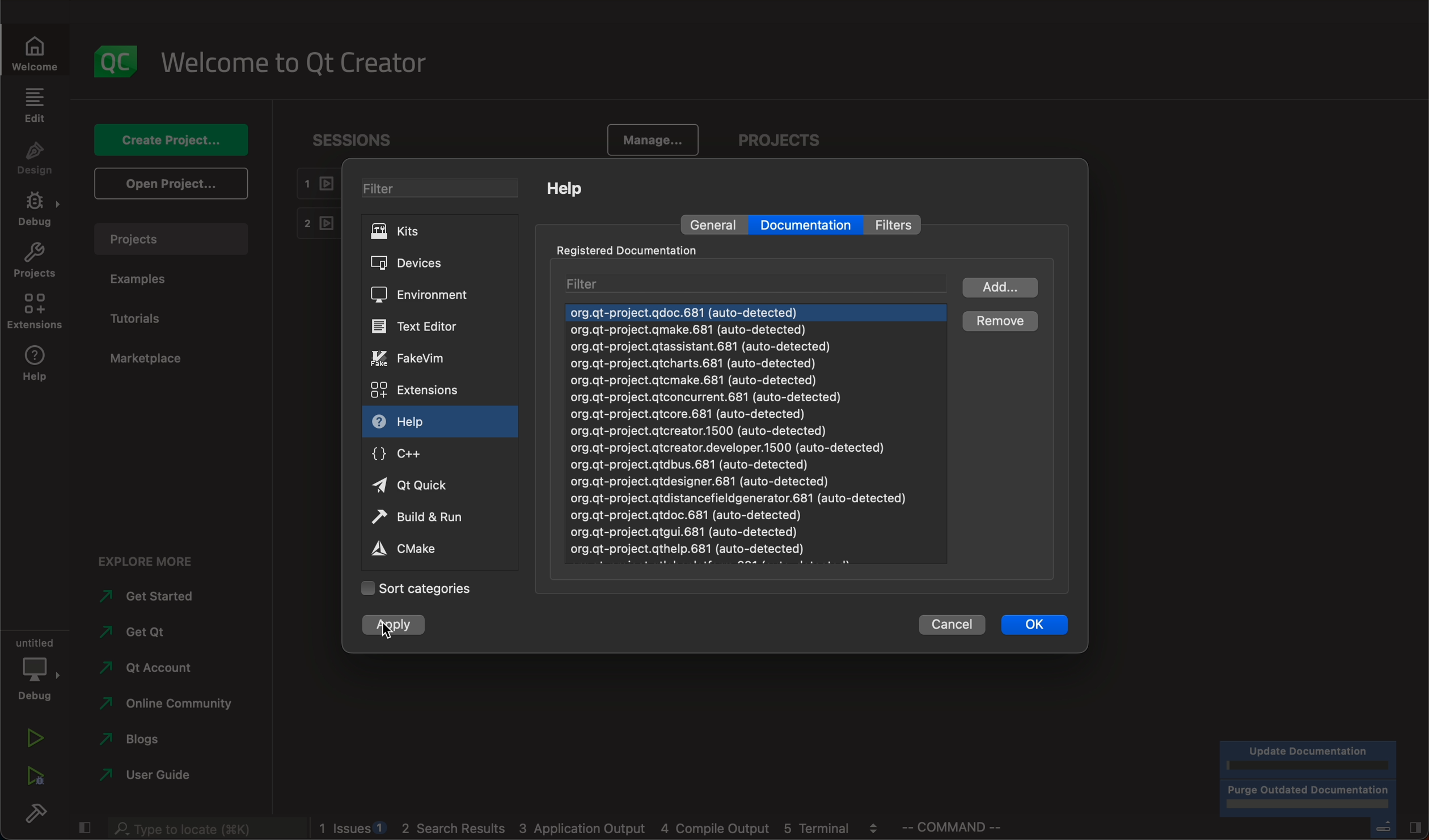 This screenshot has height=840, width=1429. What do you see at coordinates (407, 457) in the screenshot?
I see `c++` at bounding box center [407, 457].